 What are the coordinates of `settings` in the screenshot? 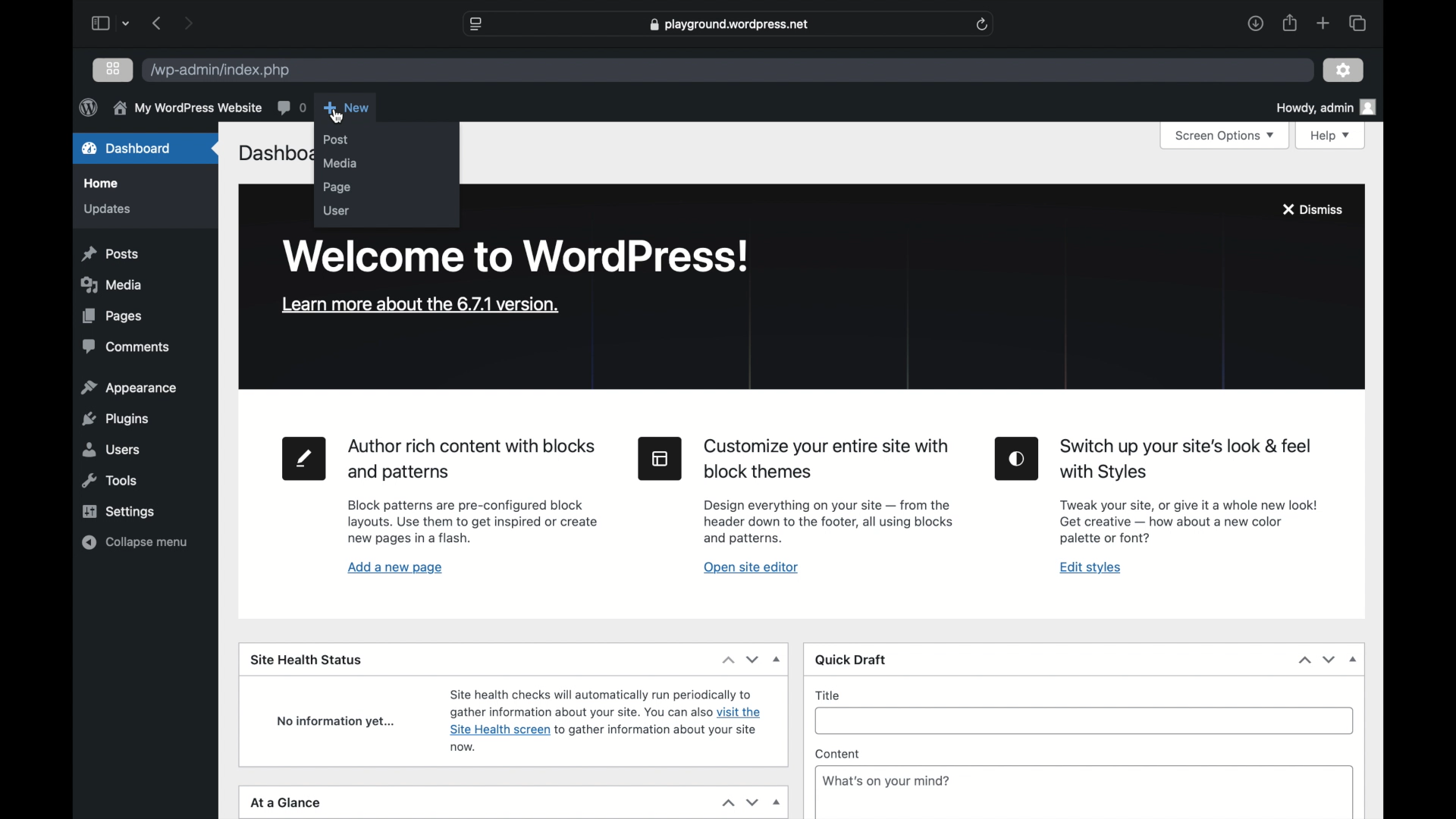 It's located at (118, 512).